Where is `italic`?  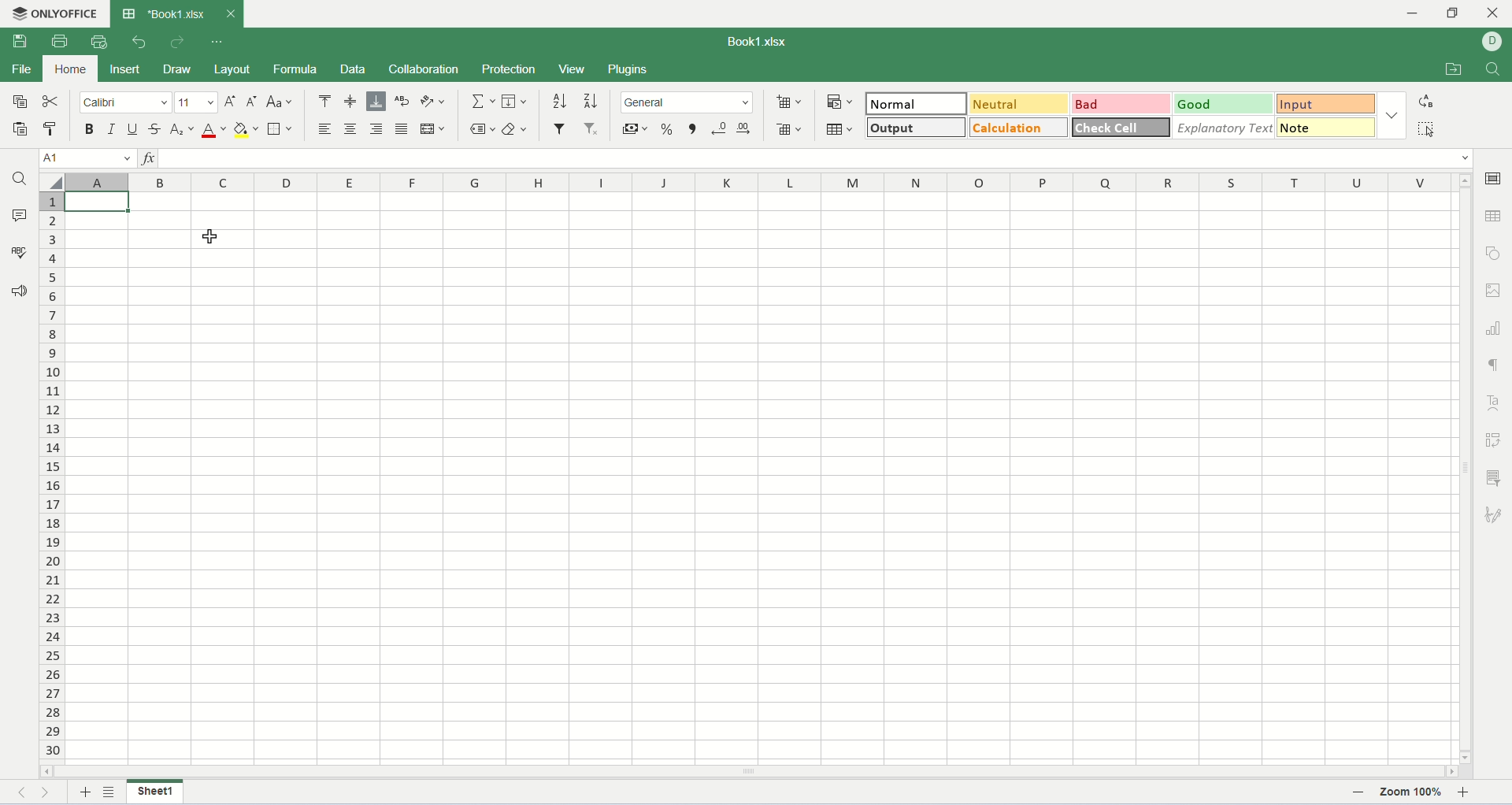 italic is located at coordinates (110, 131).